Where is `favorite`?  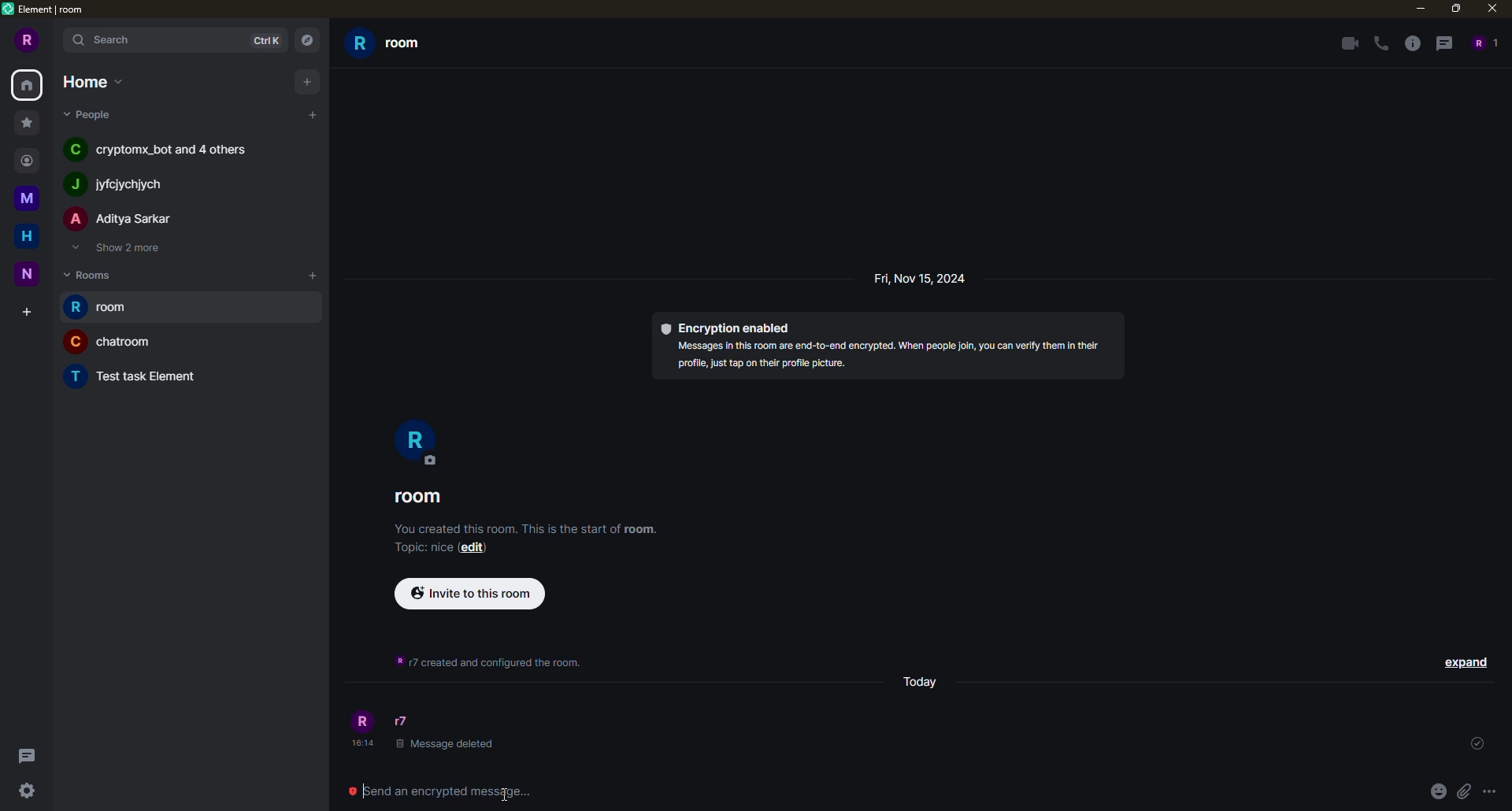
favorite is located at coordinates (25, 121).